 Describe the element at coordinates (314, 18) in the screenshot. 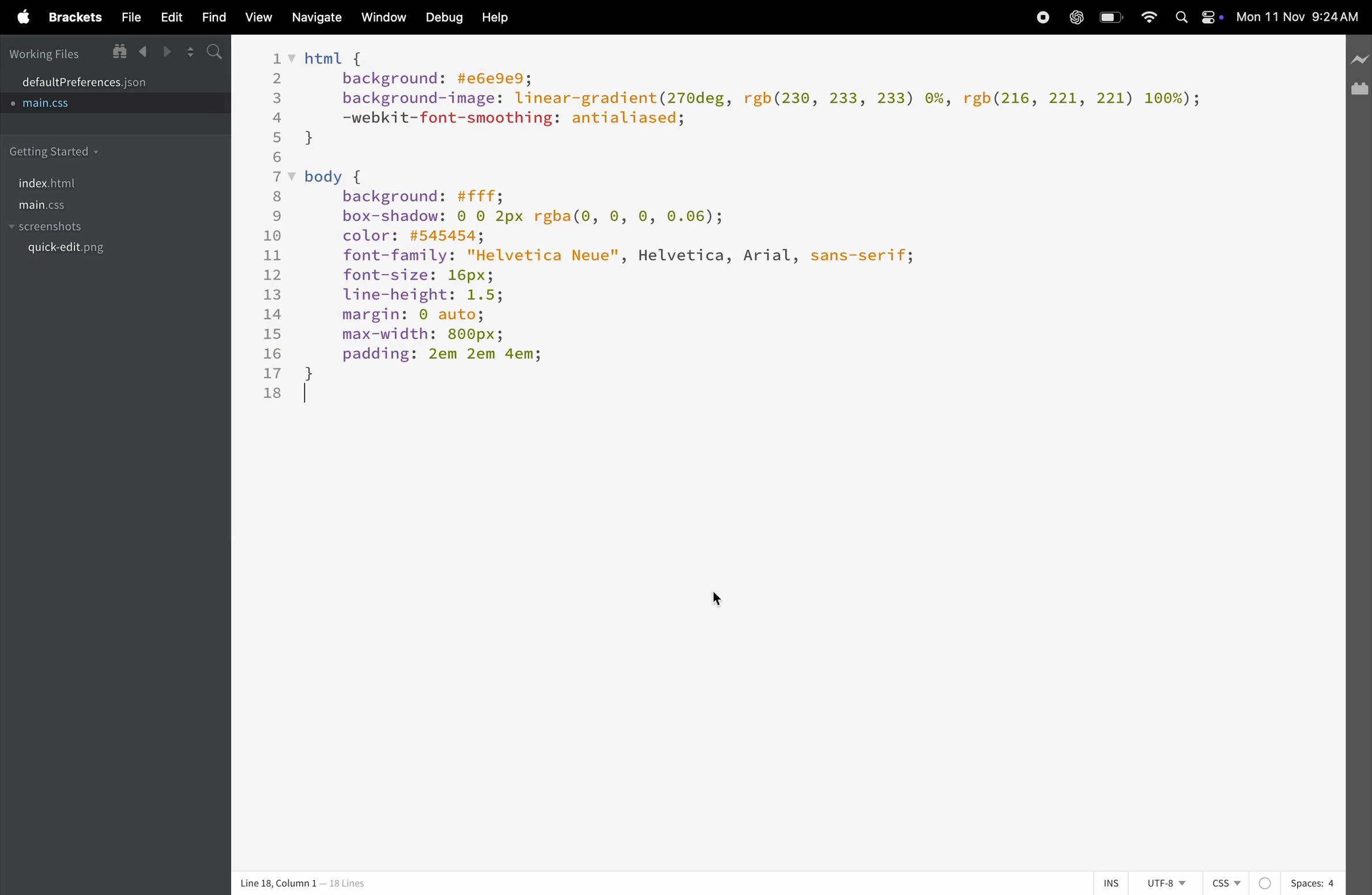

I see `navigate` at that location.